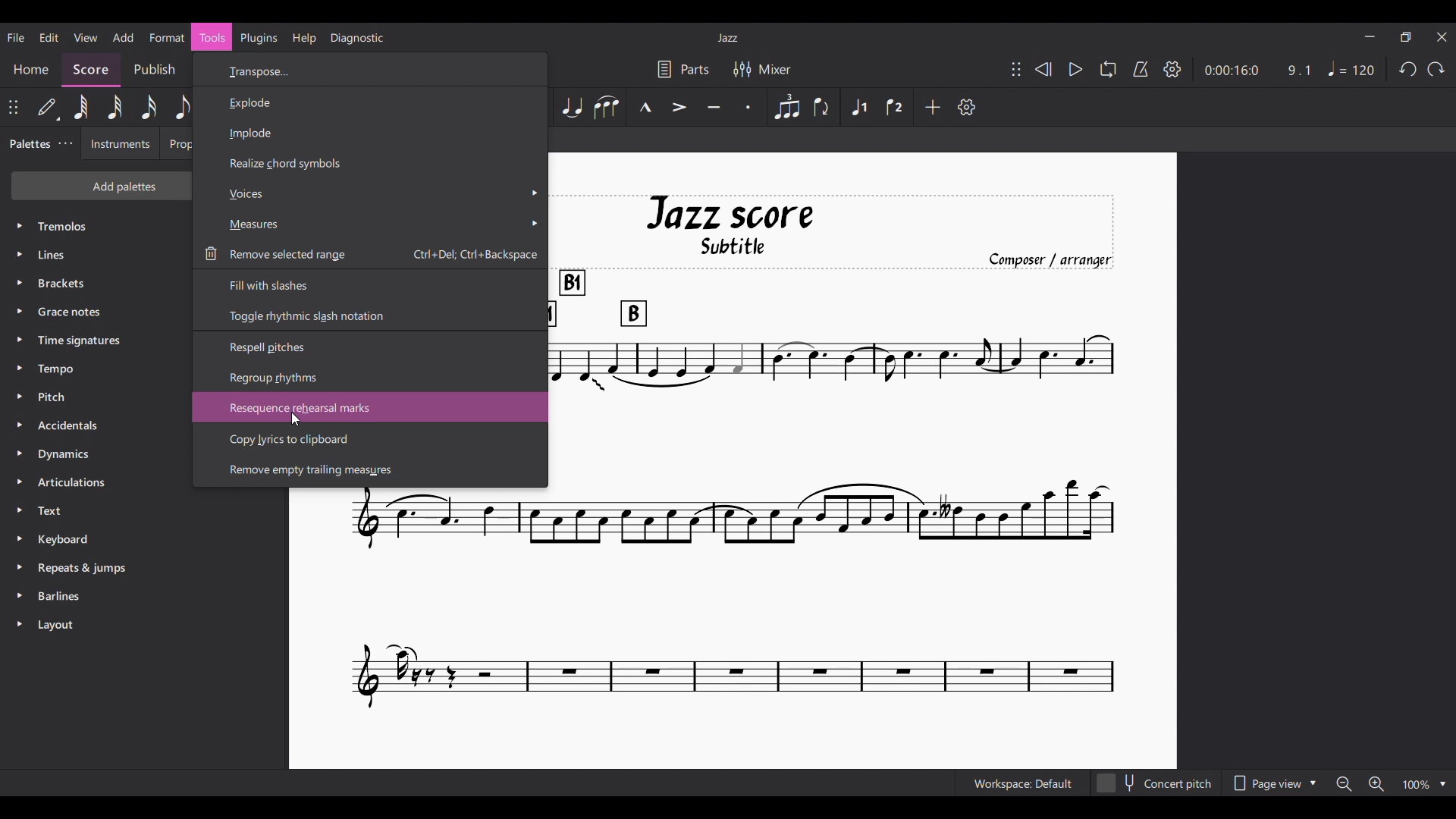 The height and width of the screenshot is (819, 1456). Describe the element at coordinates (96, 254) in the screenshot. I see `Lines` at that location.